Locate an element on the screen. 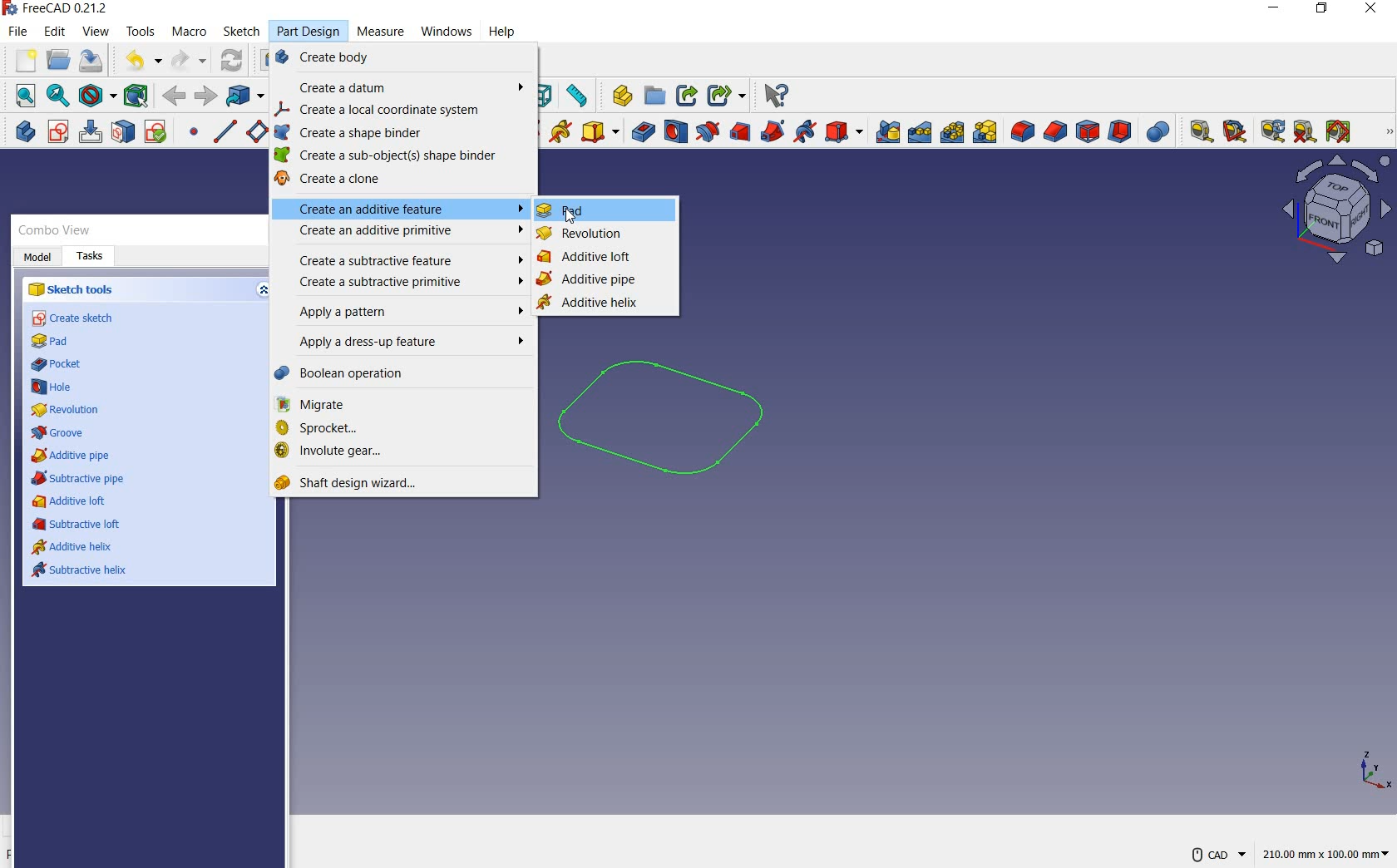 Image resolution: width=1397 pixels, height=868 pixels. sketch is located at coordinates (682, 427).